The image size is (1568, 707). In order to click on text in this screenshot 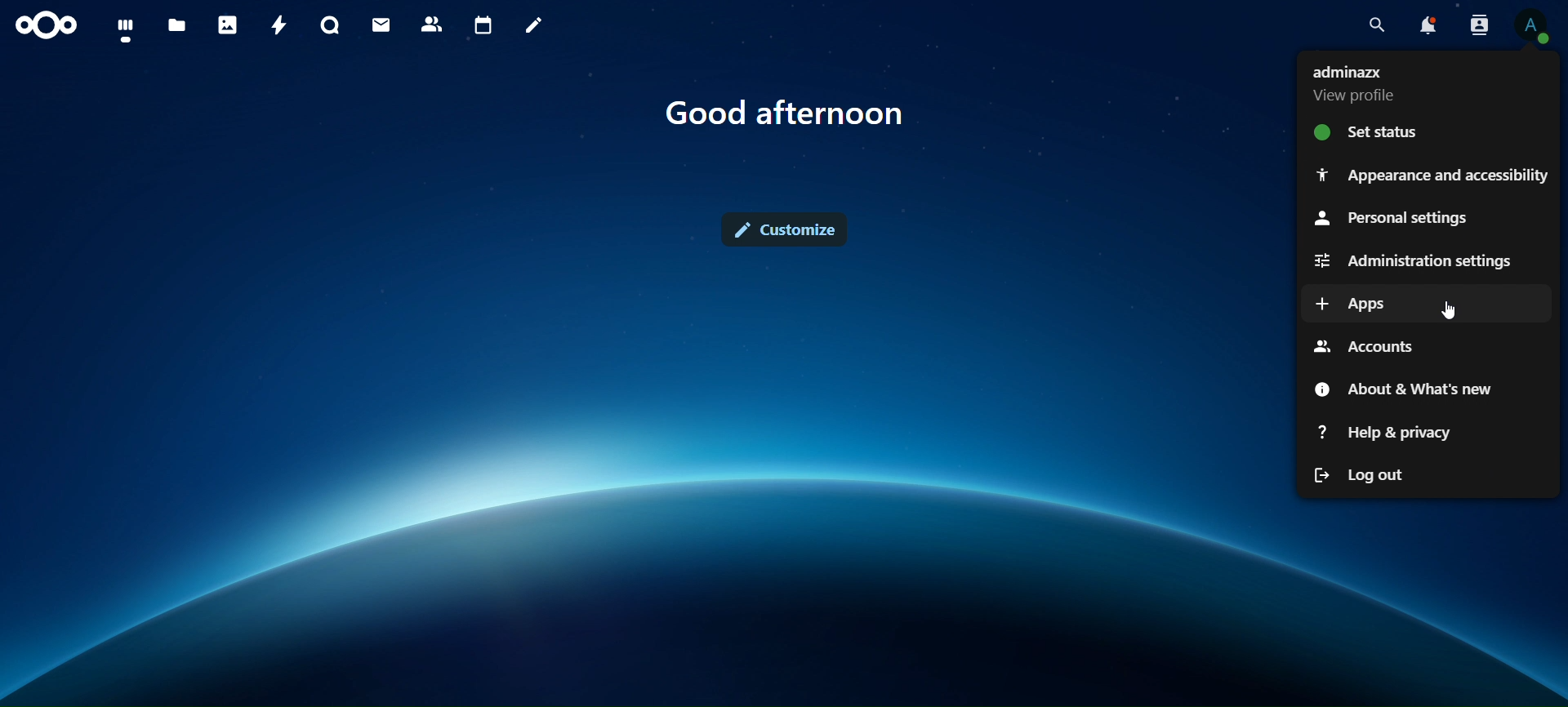, I will do `click(785, 113)`.